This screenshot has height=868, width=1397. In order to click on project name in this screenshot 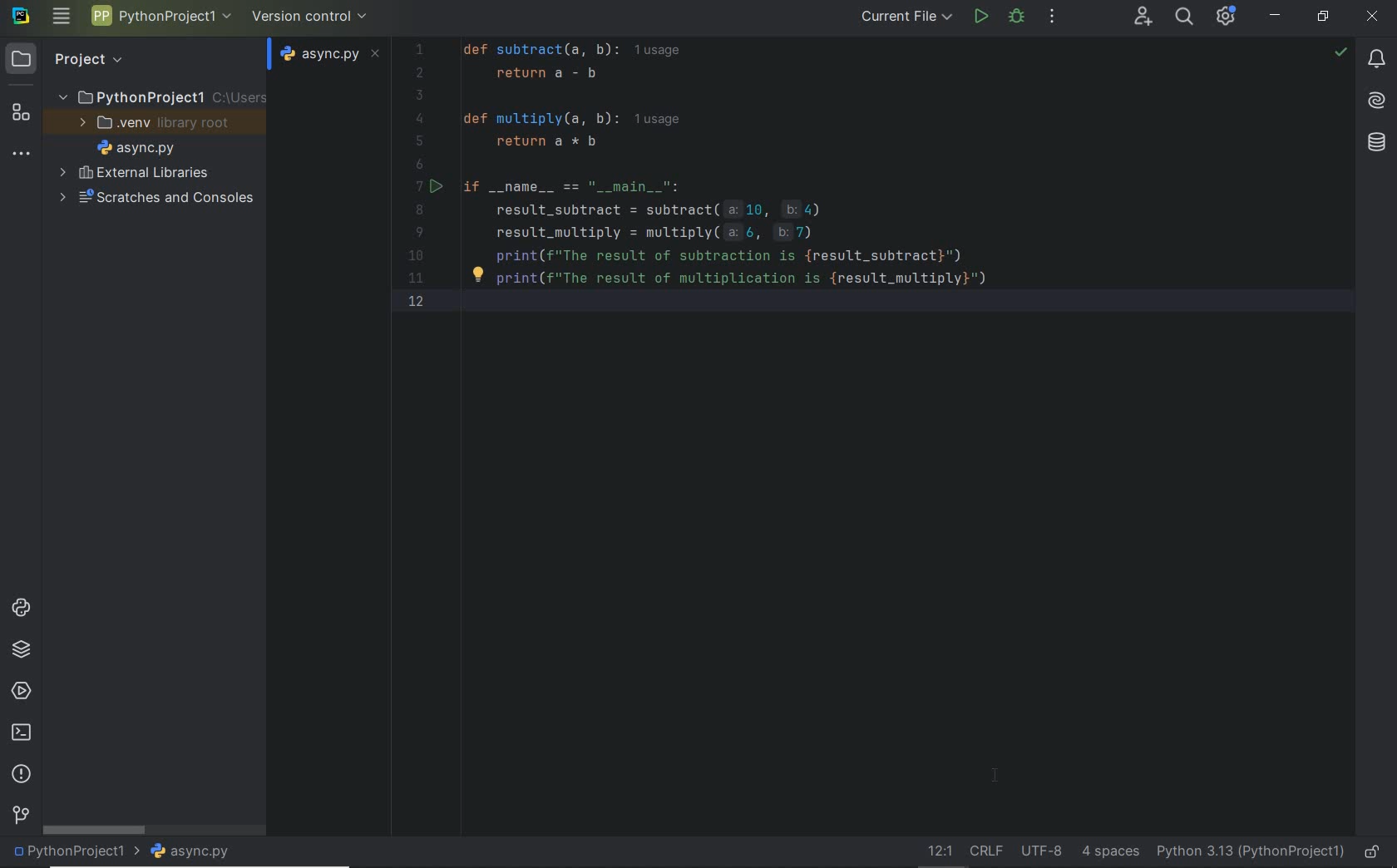, I will do `click(162, 16)`.